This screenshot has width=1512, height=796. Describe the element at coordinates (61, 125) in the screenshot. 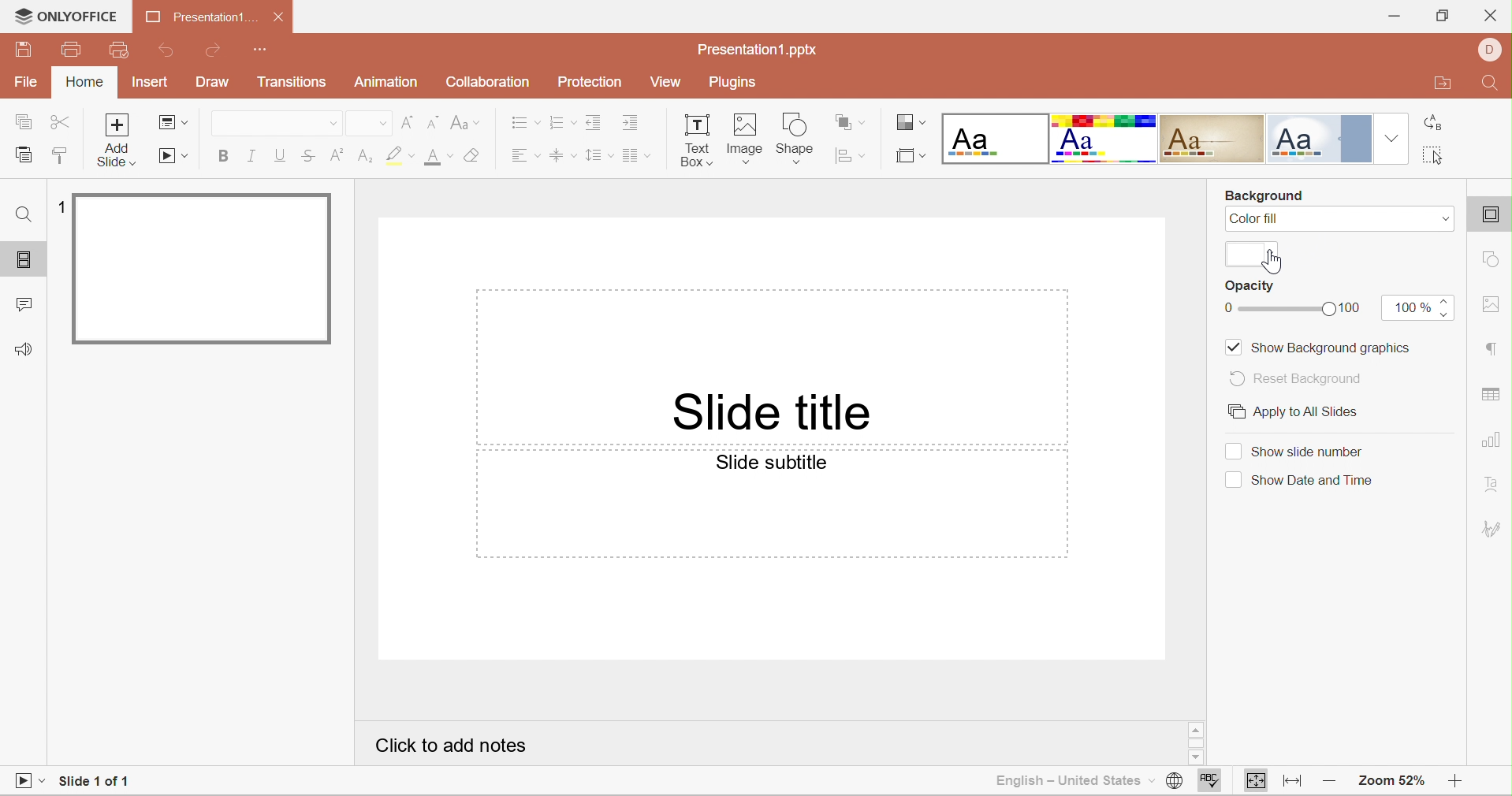

I see `Cut` at that location.